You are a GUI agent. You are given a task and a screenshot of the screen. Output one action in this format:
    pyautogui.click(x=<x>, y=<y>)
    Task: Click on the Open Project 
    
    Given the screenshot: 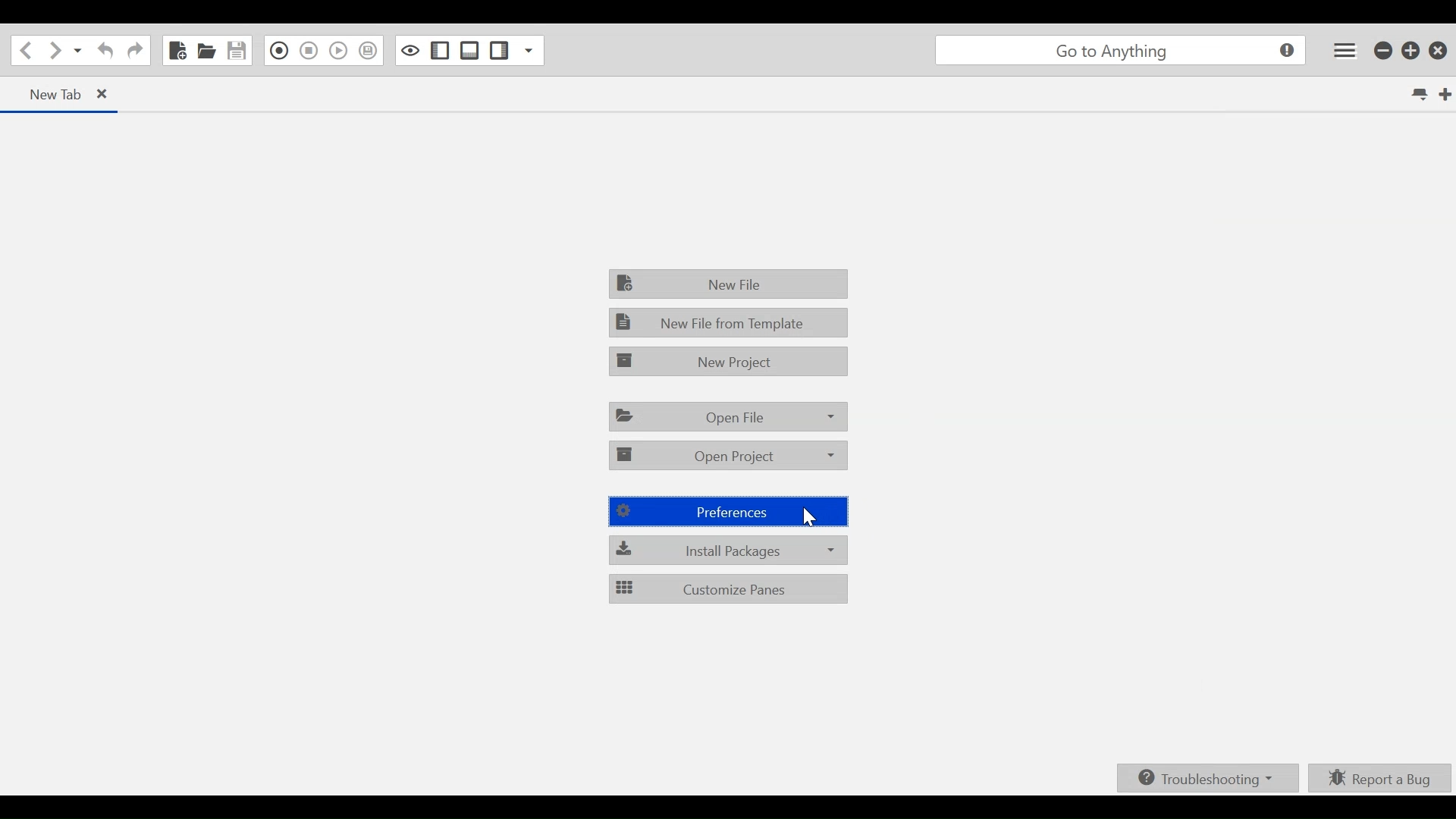 What is the action you would take?
    pyautogui.click(x=729, y=454)
    